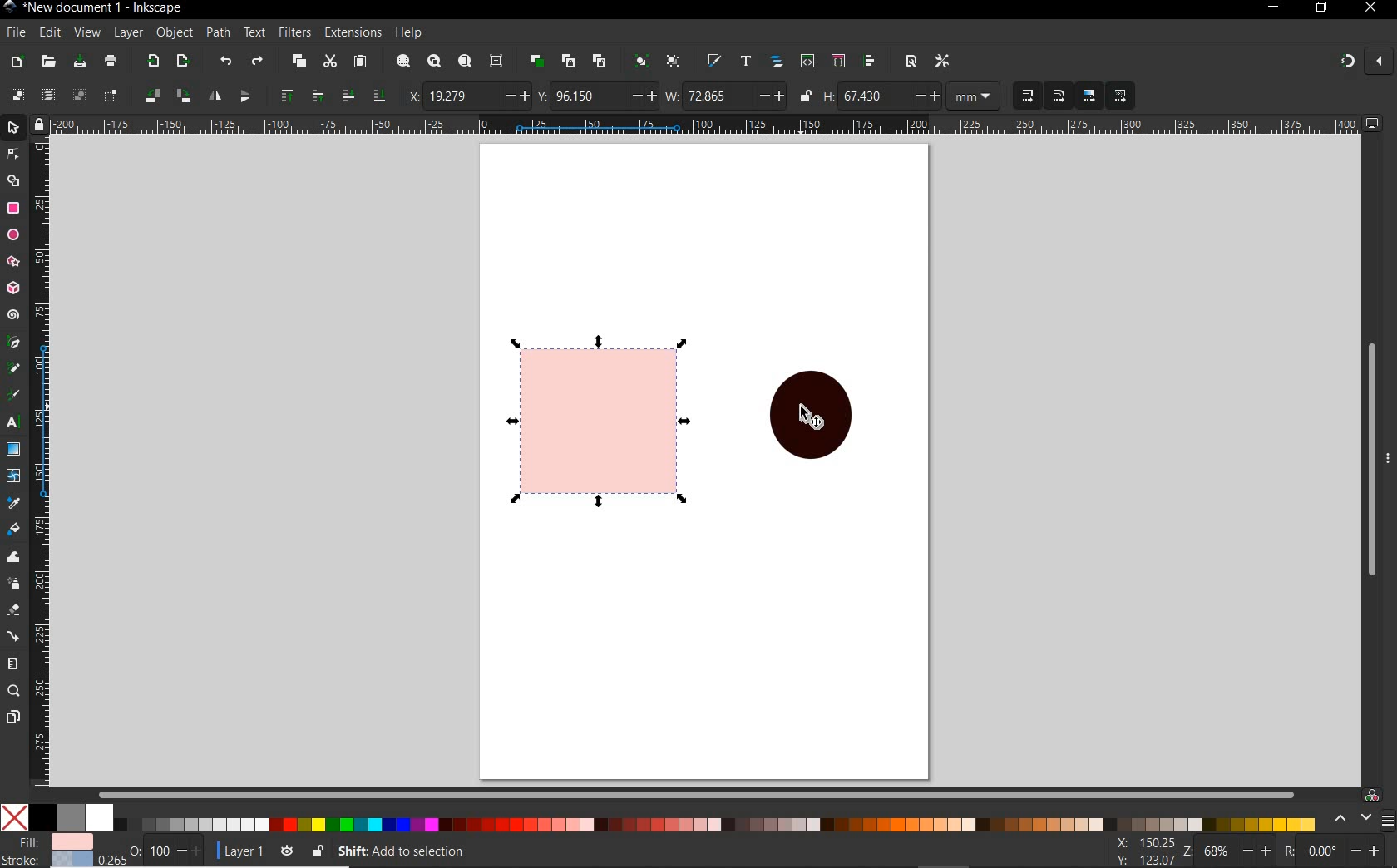 This screenshot has width=1397, height=868. Describe the element at coordinates (11, 423) in the screenshot. I see `text tool` at that location.